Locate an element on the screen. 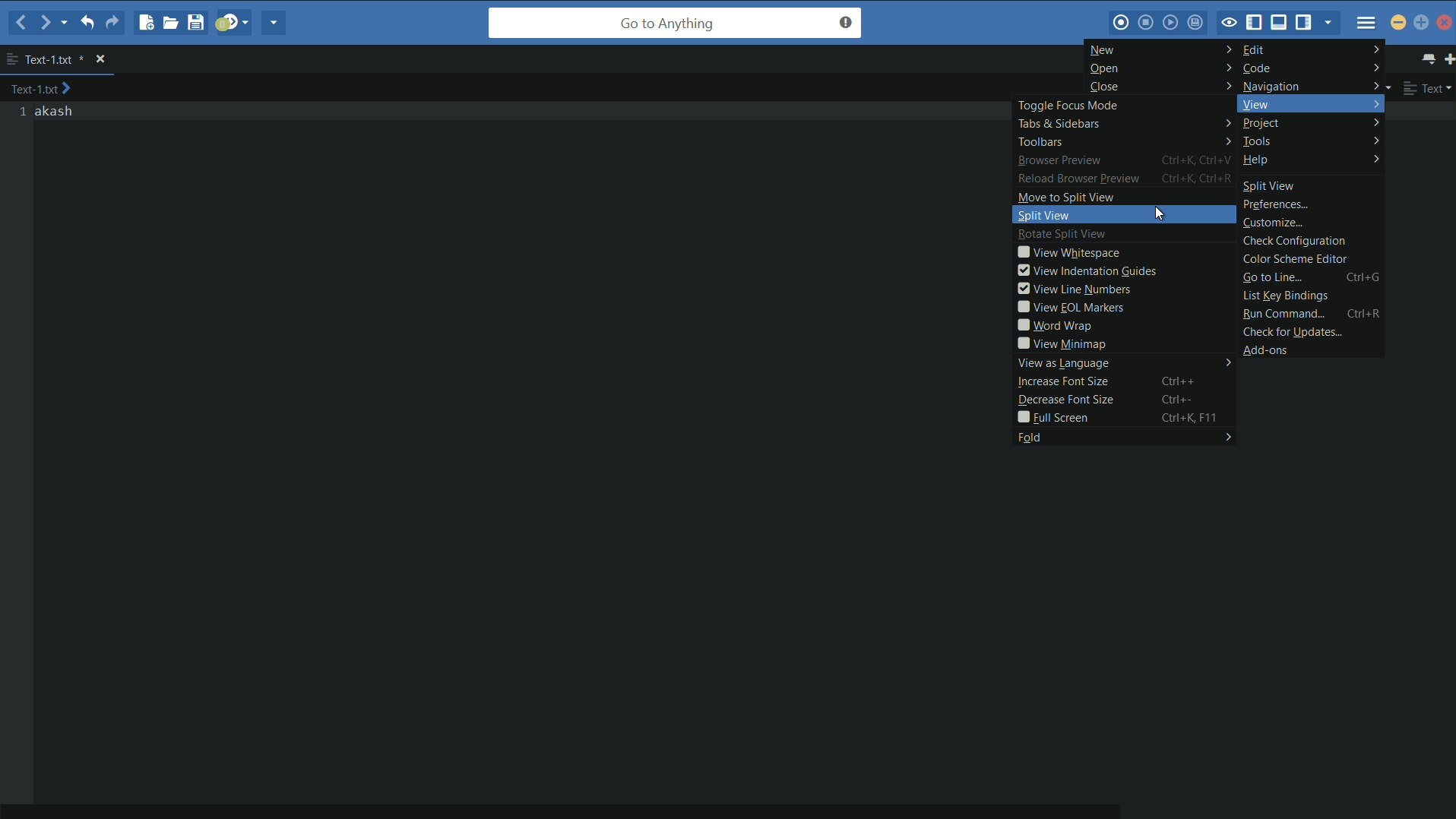 The width and height of the screenshot is (1456, 819). add ons is located at coordinates (1315, 349).